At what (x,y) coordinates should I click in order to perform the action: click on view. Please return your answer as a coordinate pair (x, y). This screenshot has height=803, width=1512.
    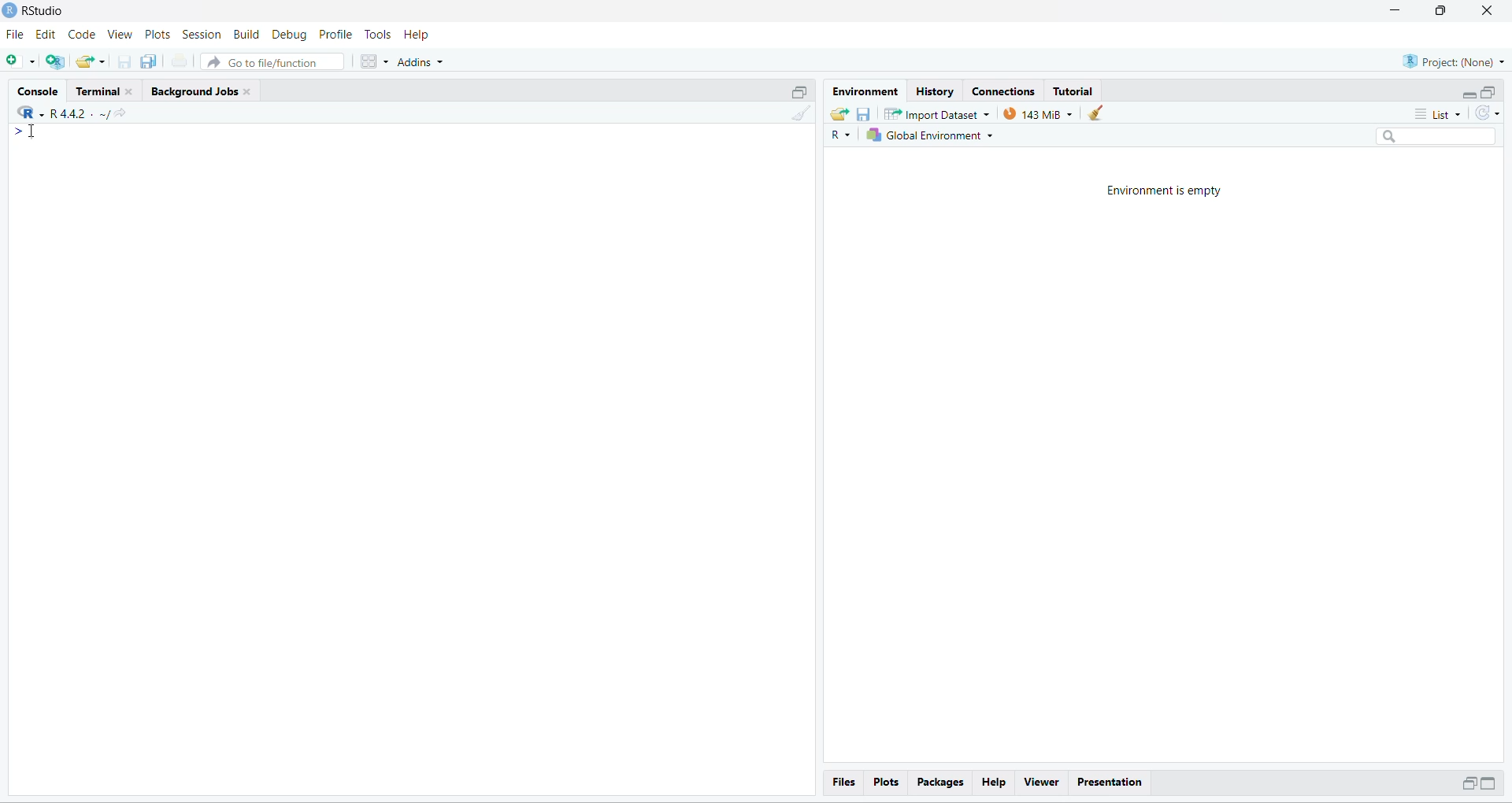
    Looking at the image, I should click on (120, 34).